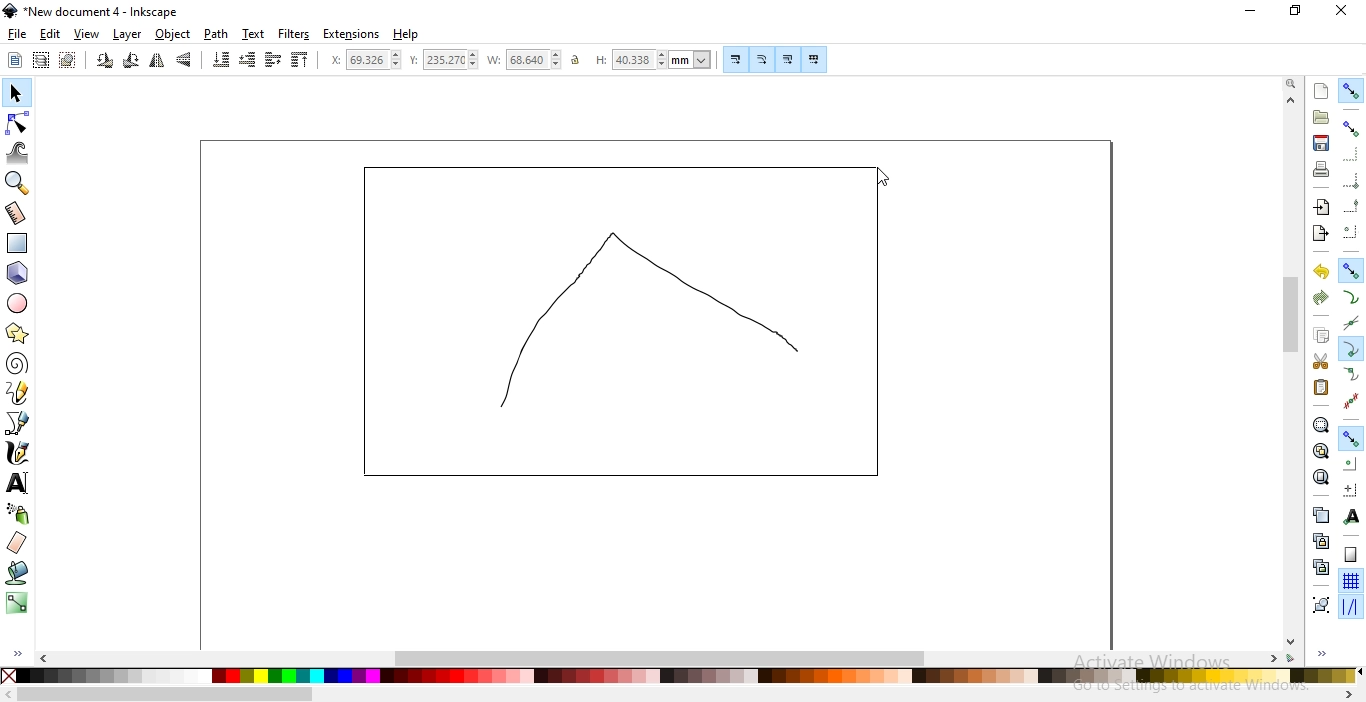 The width and height of the screenshot is (1366, 702). Describe the element at coordinates (1320, 540) in the screenshot. I see `create a clone` at that location.